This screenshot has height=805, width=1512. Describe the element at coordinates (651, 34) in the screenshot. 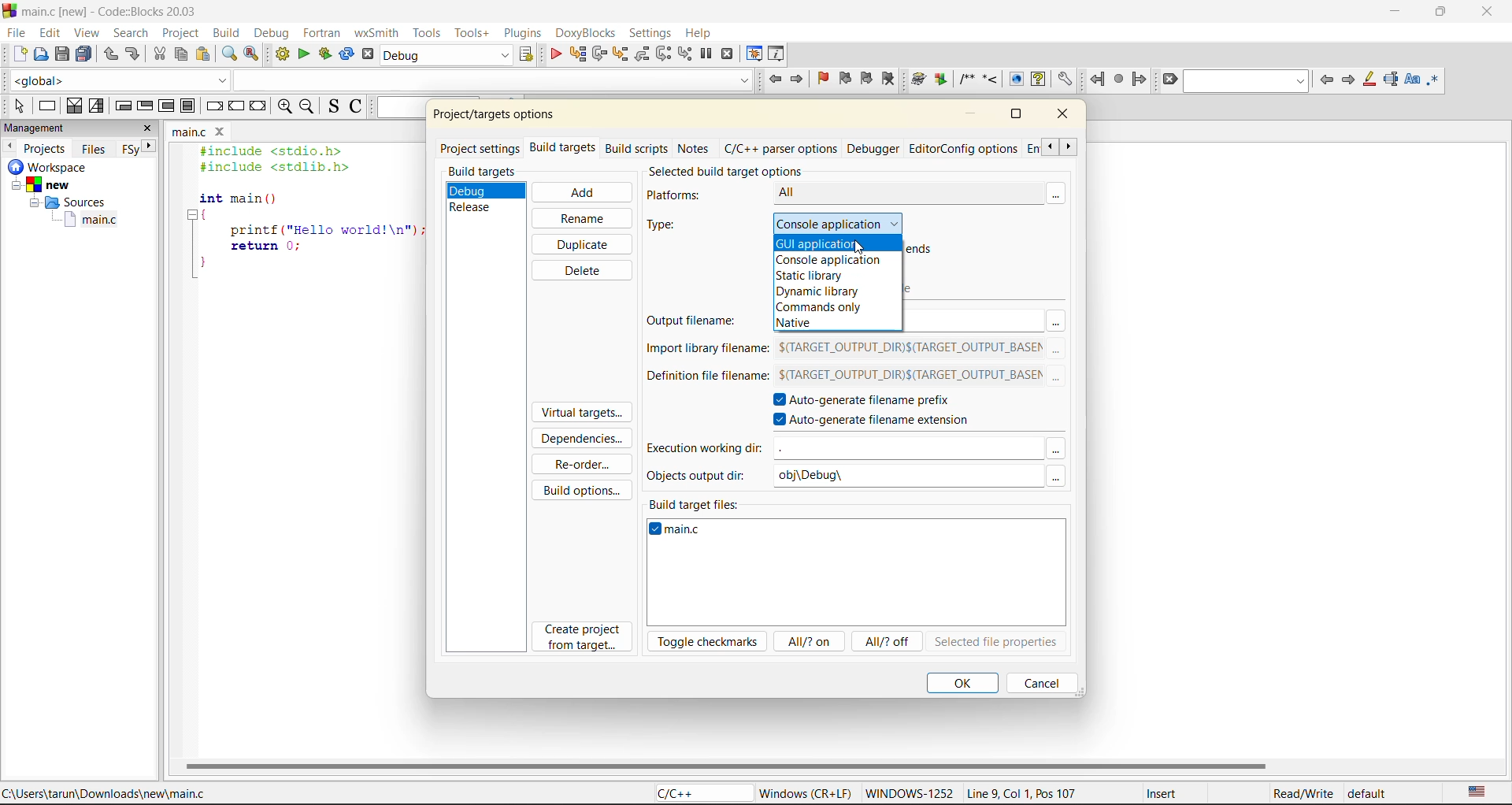

I see `settings` at that location.